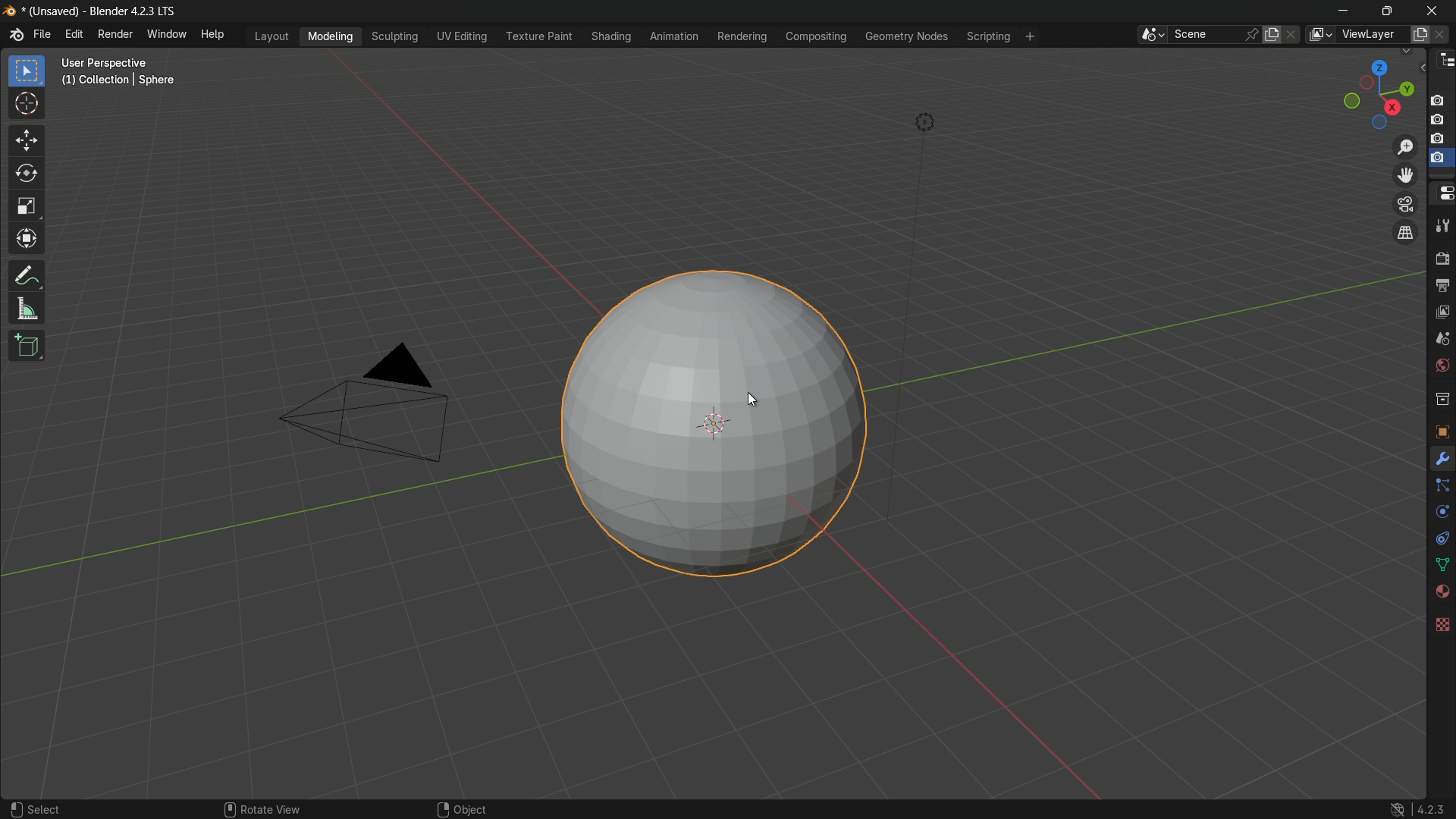 This screenshot has width=1456, height=819. Describe the element at coordinates (166, 36) in the screenshot. I see `window menu` at that location.